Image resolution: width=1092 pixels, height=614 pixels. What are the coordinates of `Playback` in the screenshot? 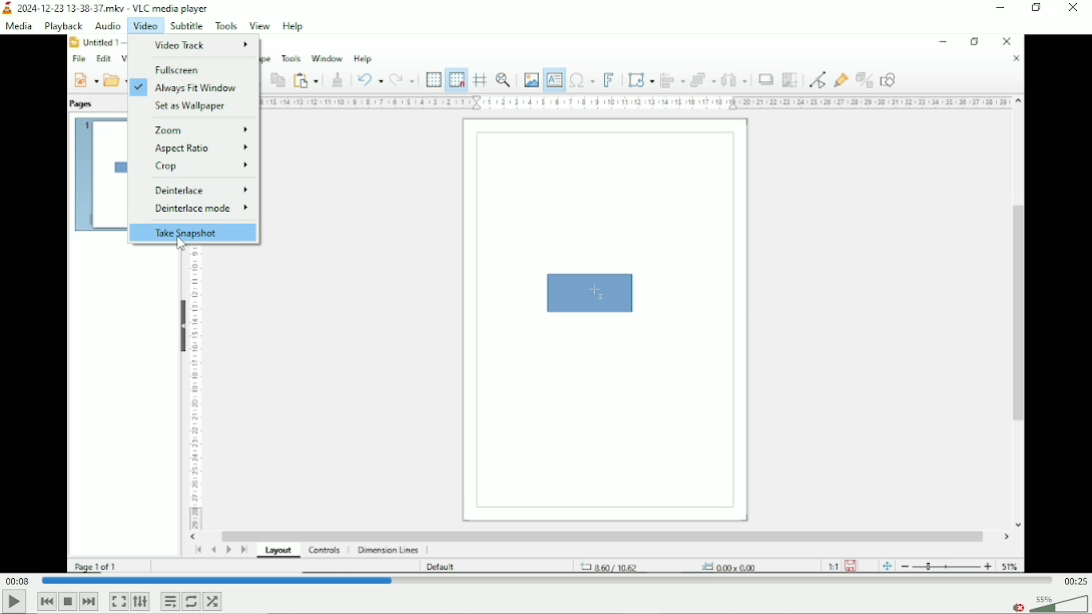 It's located at (62, 26).